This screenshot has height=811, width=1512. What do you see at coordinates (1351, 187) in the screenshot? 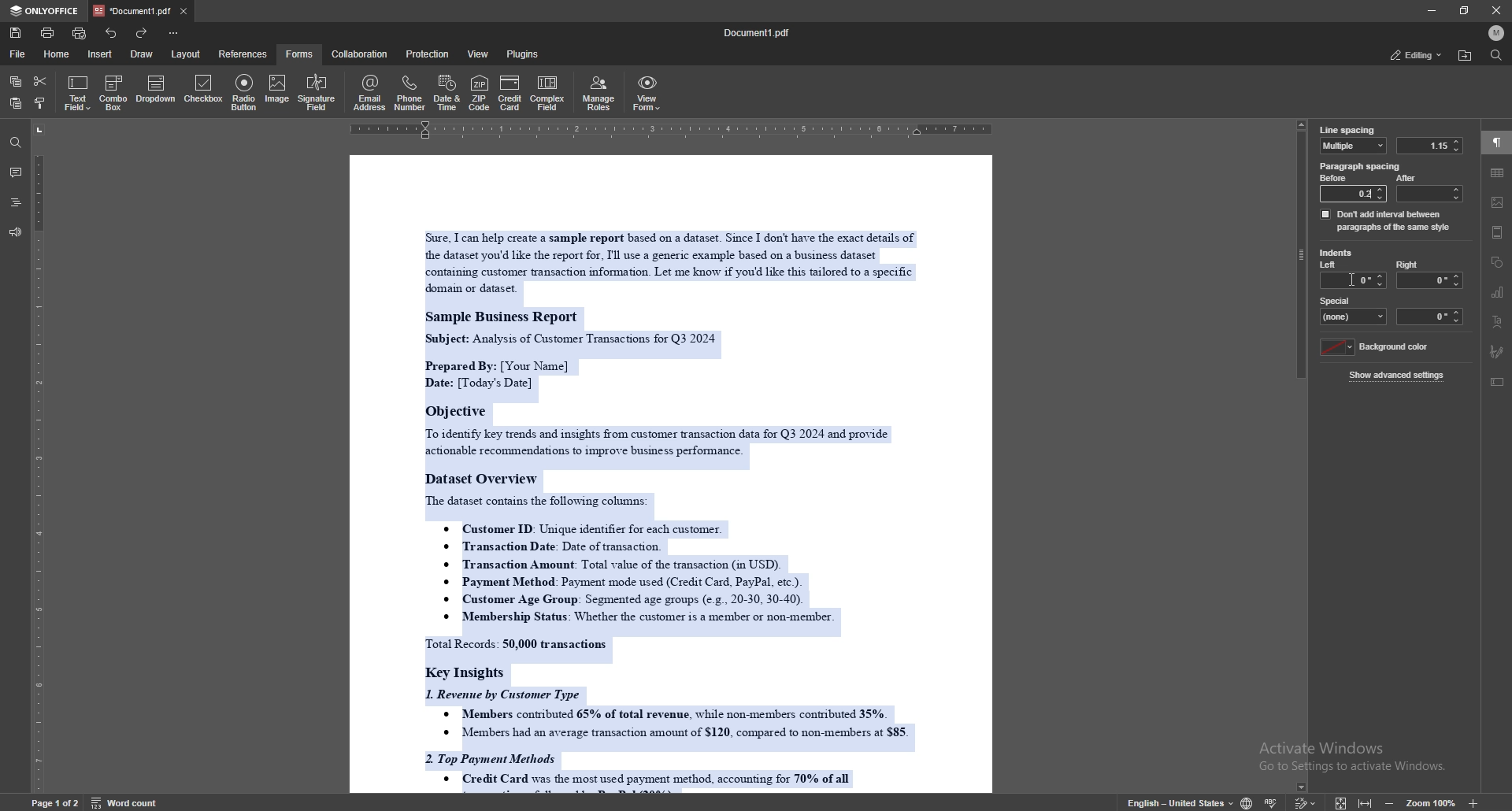
I see `before: 0.2` at bounding box center [1351, 187].